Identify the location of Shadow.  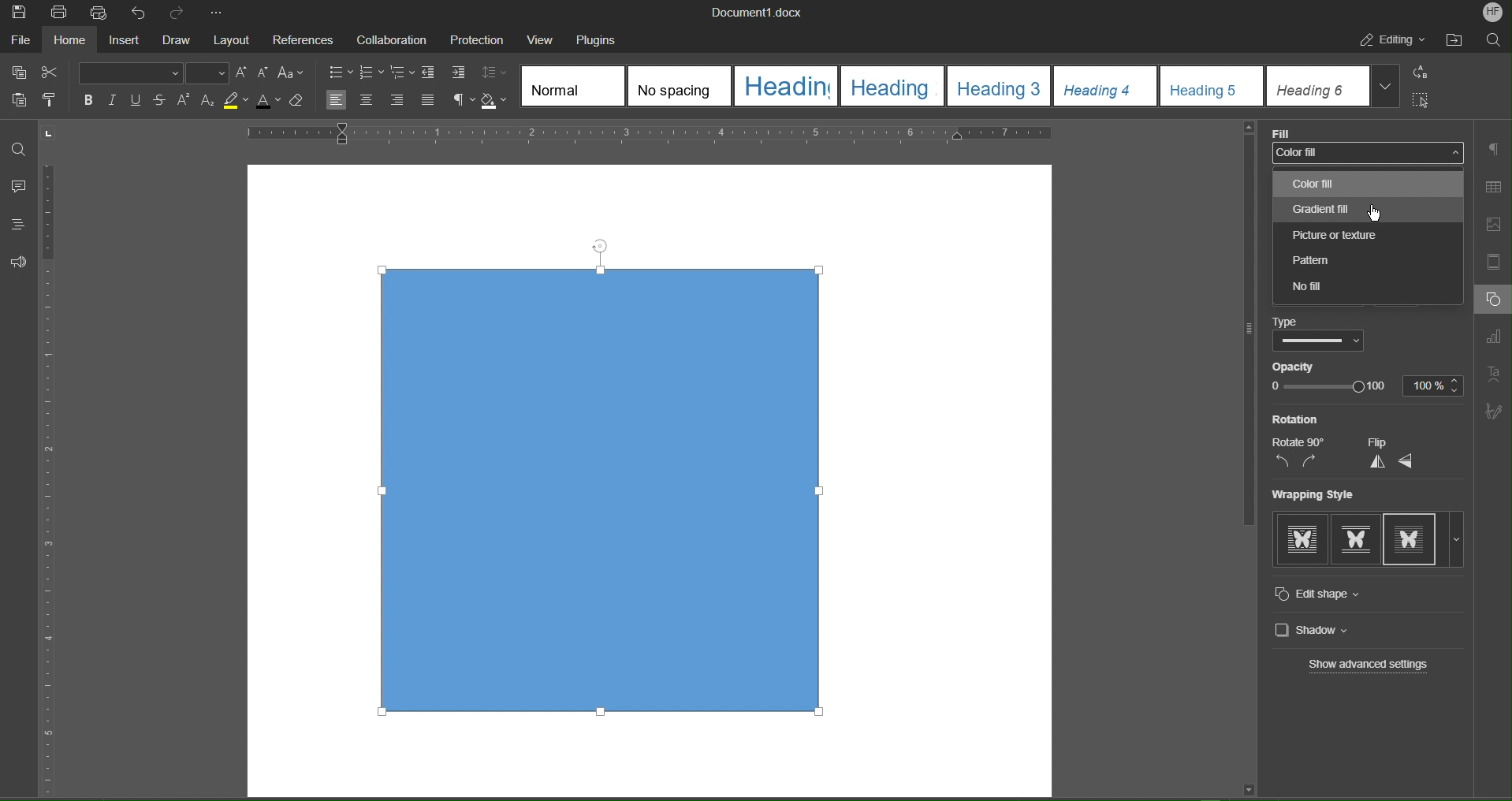
(1318, 631).